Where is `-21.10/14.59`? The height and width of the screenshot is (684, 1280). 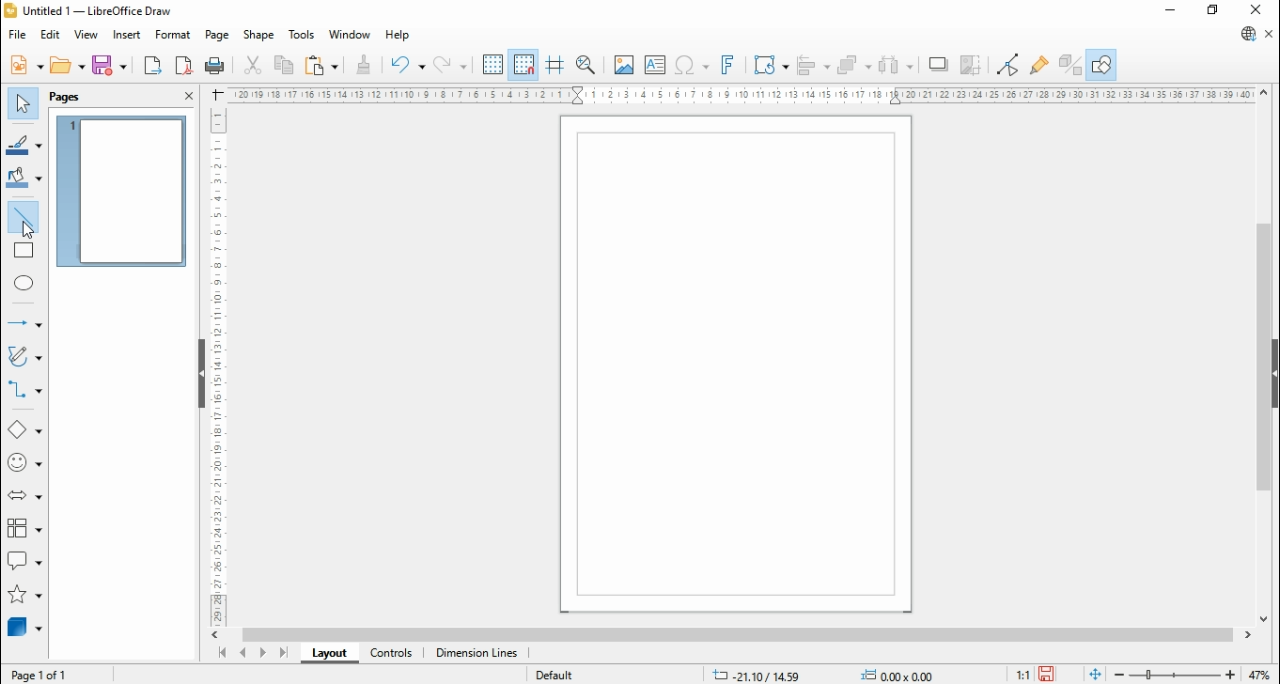
-21.10/14.59 is located at coordinates (763, 675).